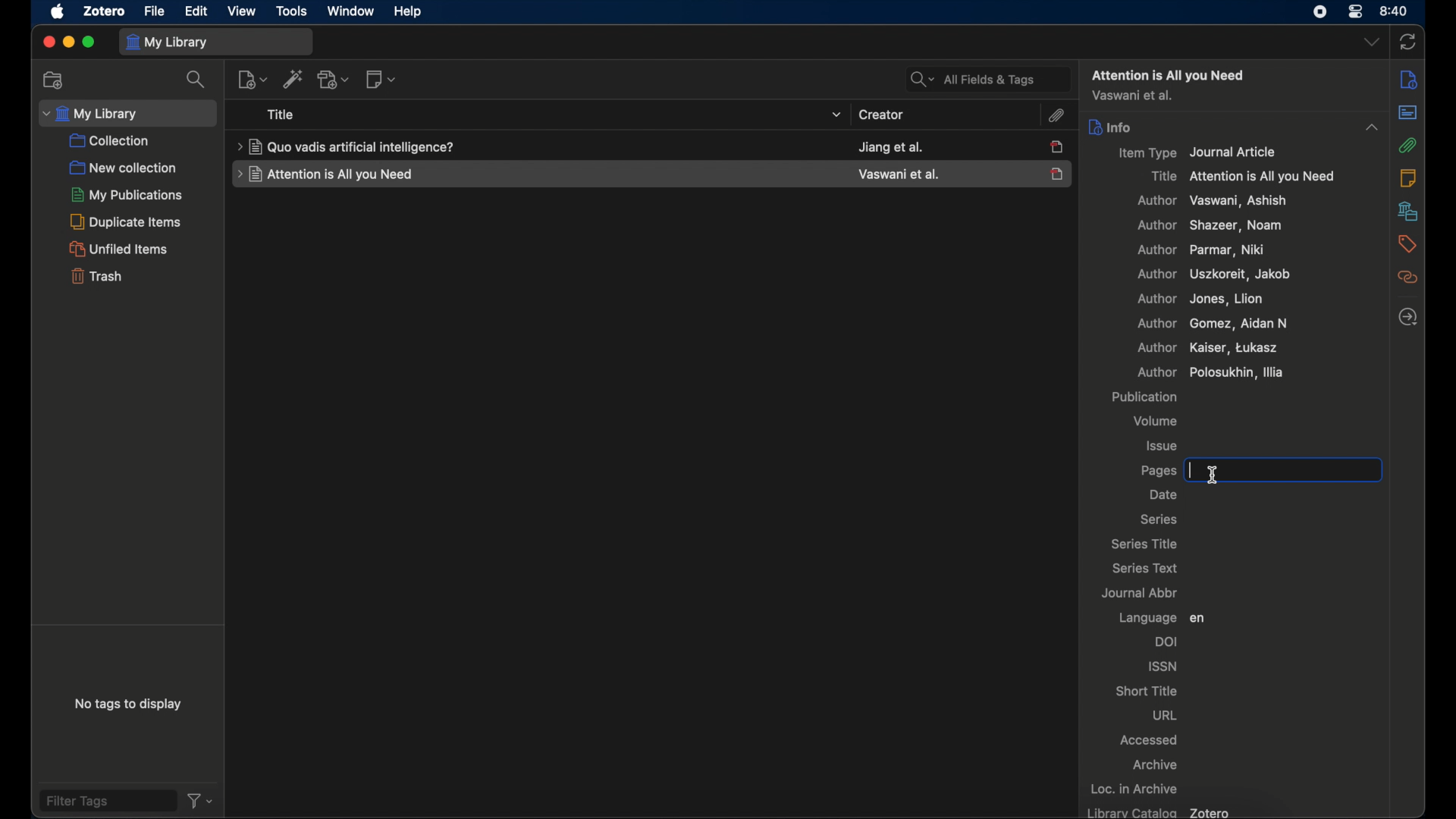  What do you see at coordinates (1202, 300) in the screenshot?
I see `author jones, lion` at bounding box center [1202, 300].